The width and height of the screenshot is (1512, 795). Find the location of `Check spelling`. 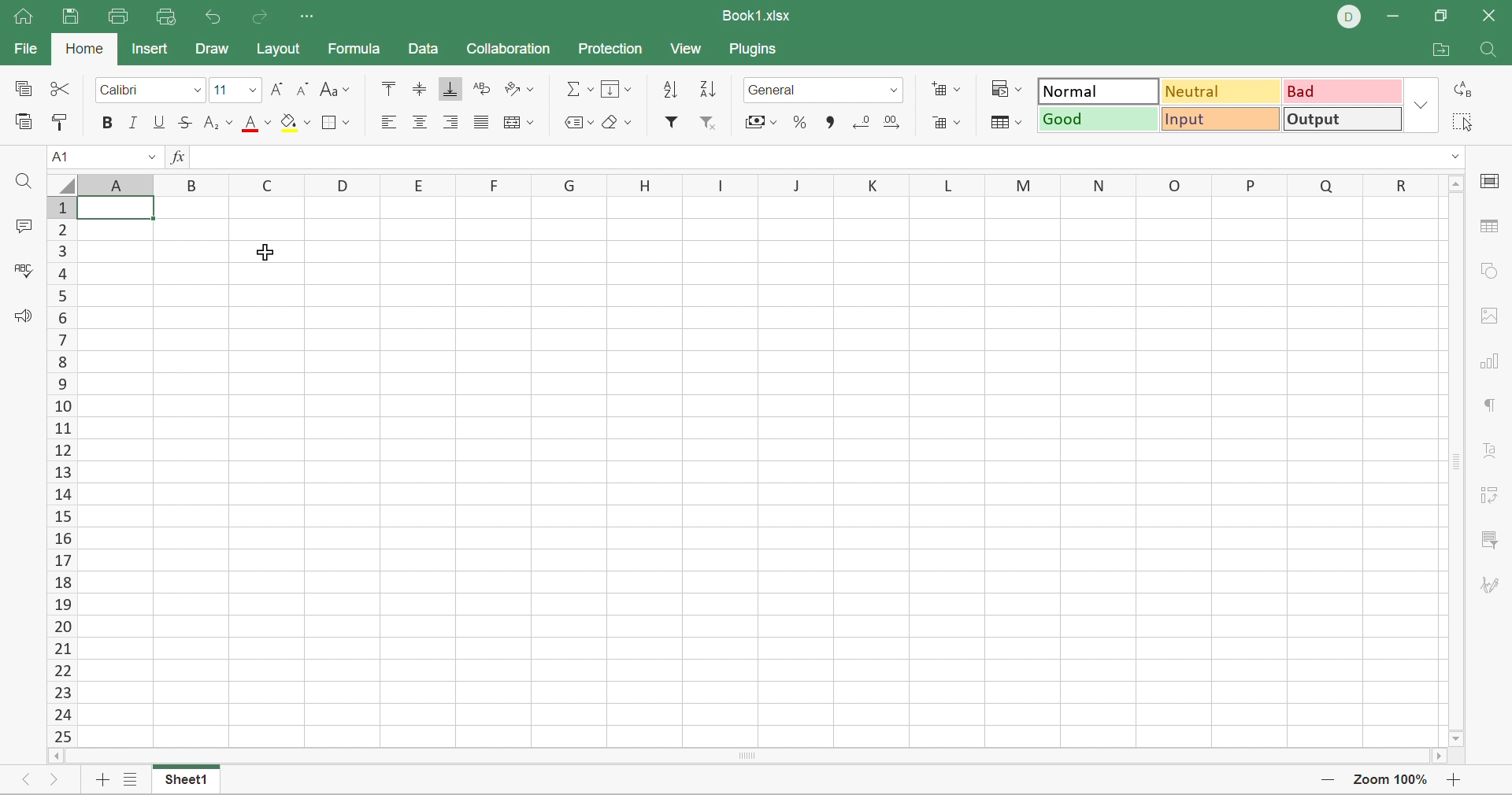

Check spelling is located at coordinates (20, 272).